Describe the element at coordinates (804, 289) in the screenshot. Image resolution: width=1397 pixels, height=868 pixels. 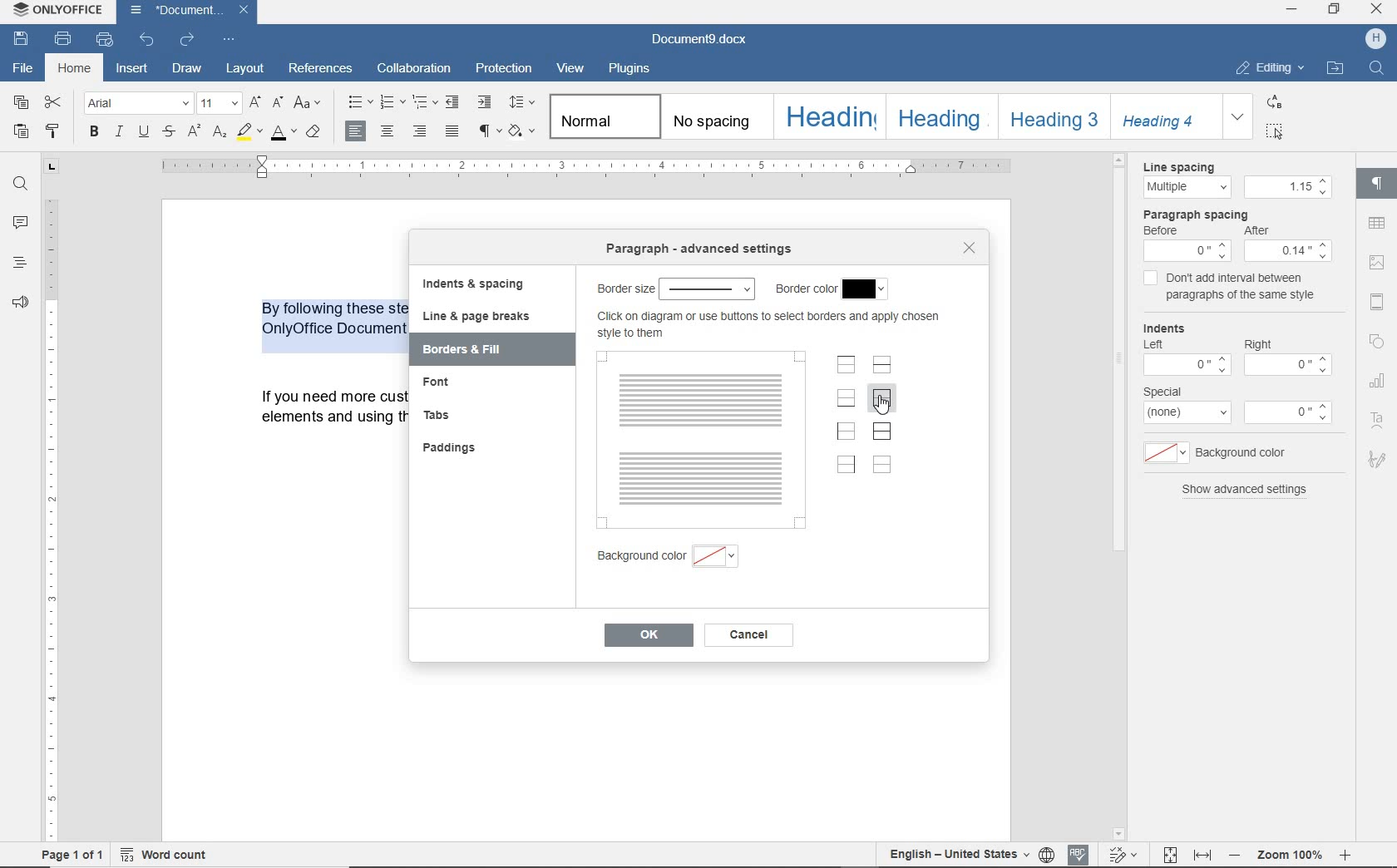
I see `border color` at that location.